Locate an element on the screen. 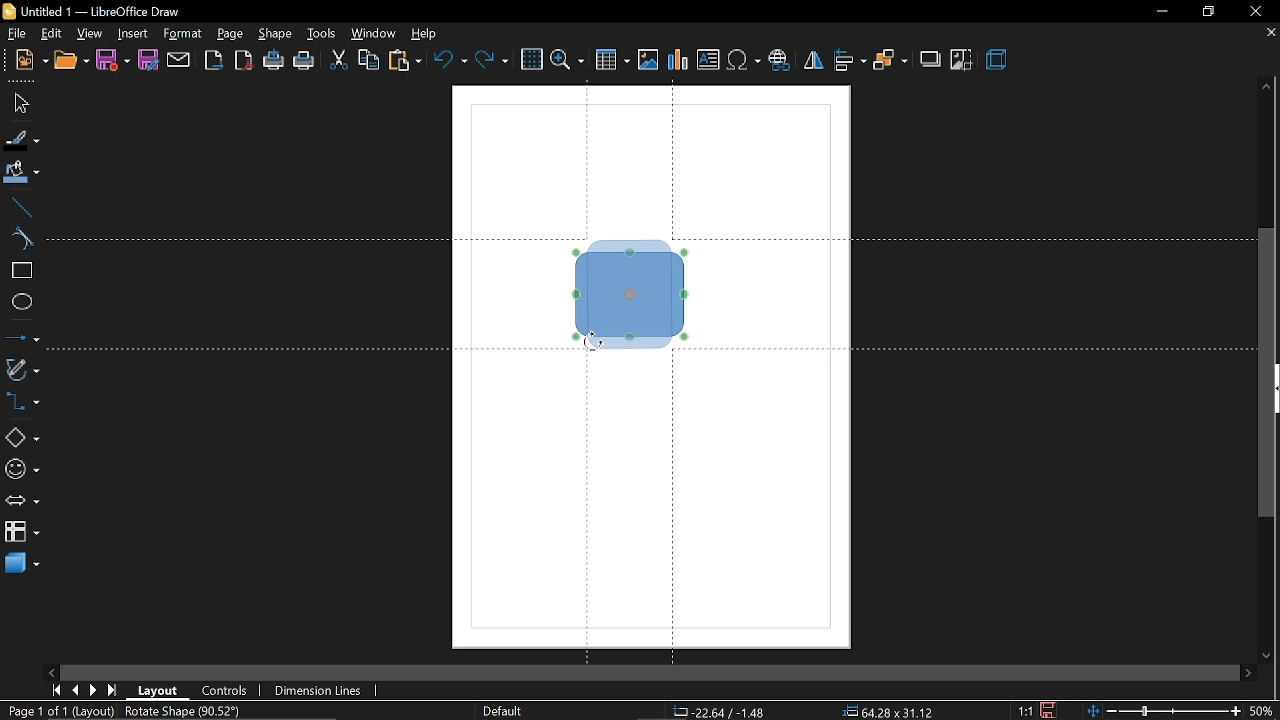 This screenshot has height=720, width=1280. symbol shapes is located at coordinates (21, 469).